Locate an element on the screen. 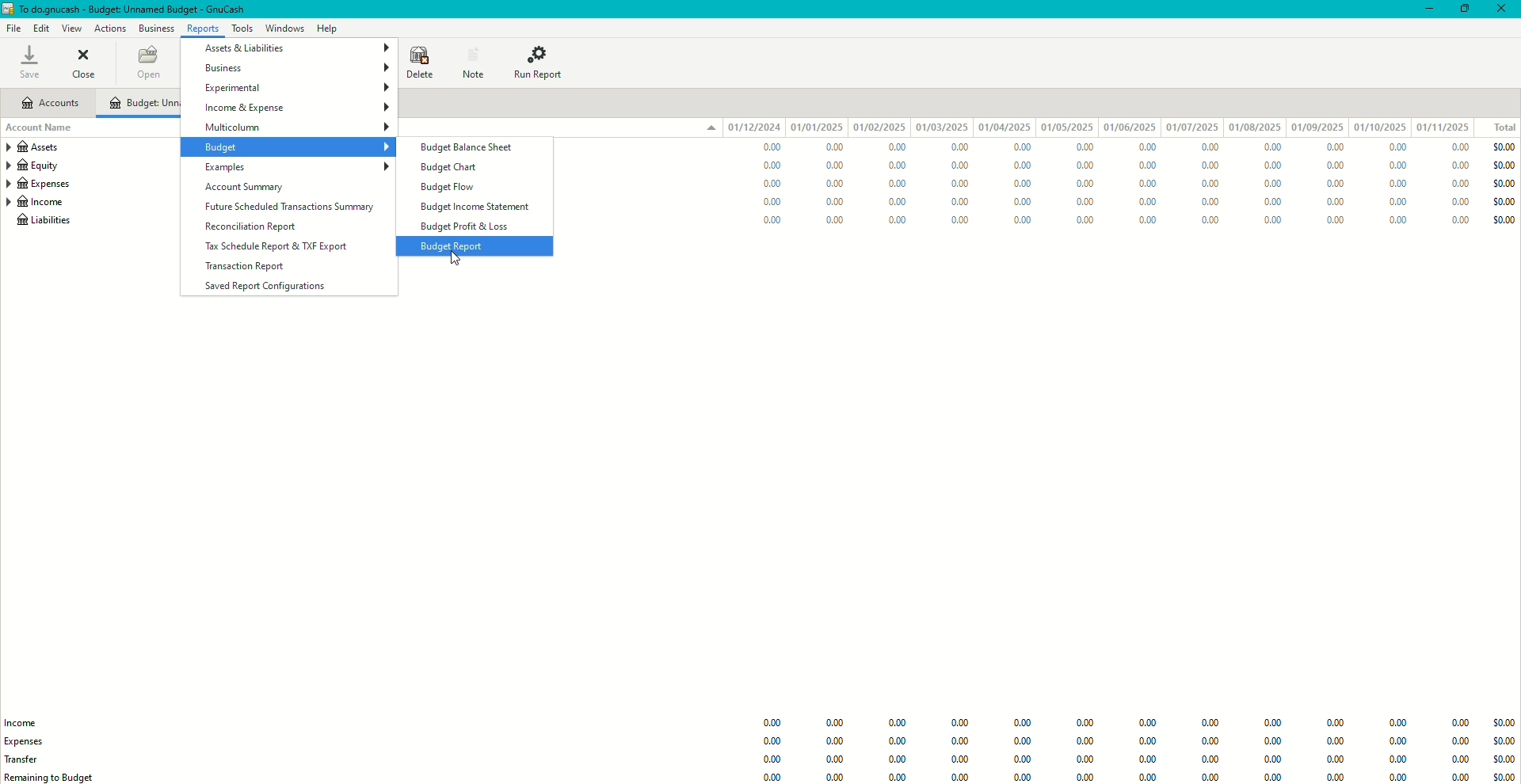  0.00 is located at coordinates (1337, 148).